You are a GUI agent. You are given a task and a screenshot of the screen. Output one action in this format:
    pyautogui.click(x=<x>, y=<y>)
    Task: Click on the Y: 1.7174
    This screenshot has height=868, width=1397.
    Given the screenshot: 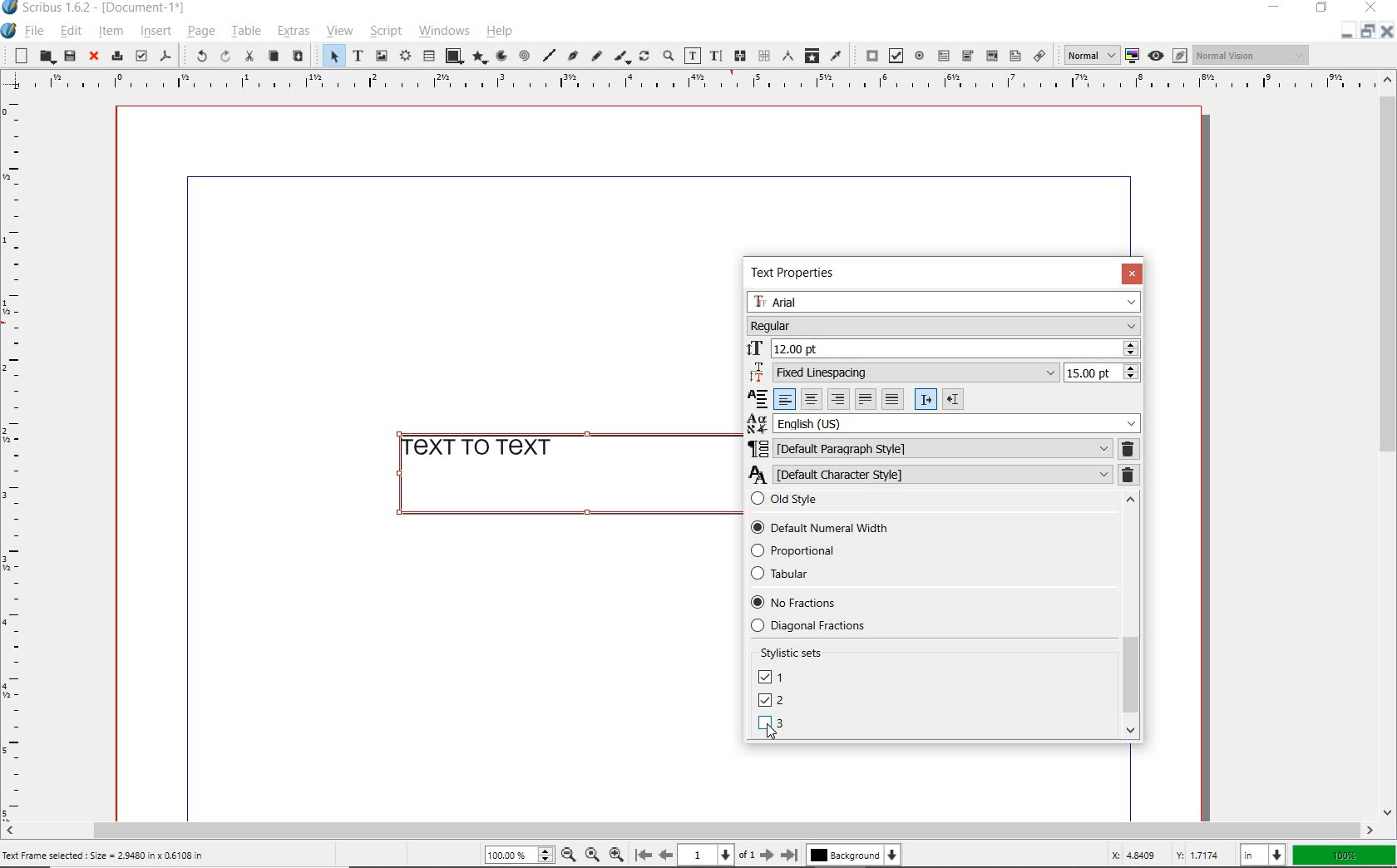 What is the action you would take?
    pyautogui.click(x=1200, y=855)
    